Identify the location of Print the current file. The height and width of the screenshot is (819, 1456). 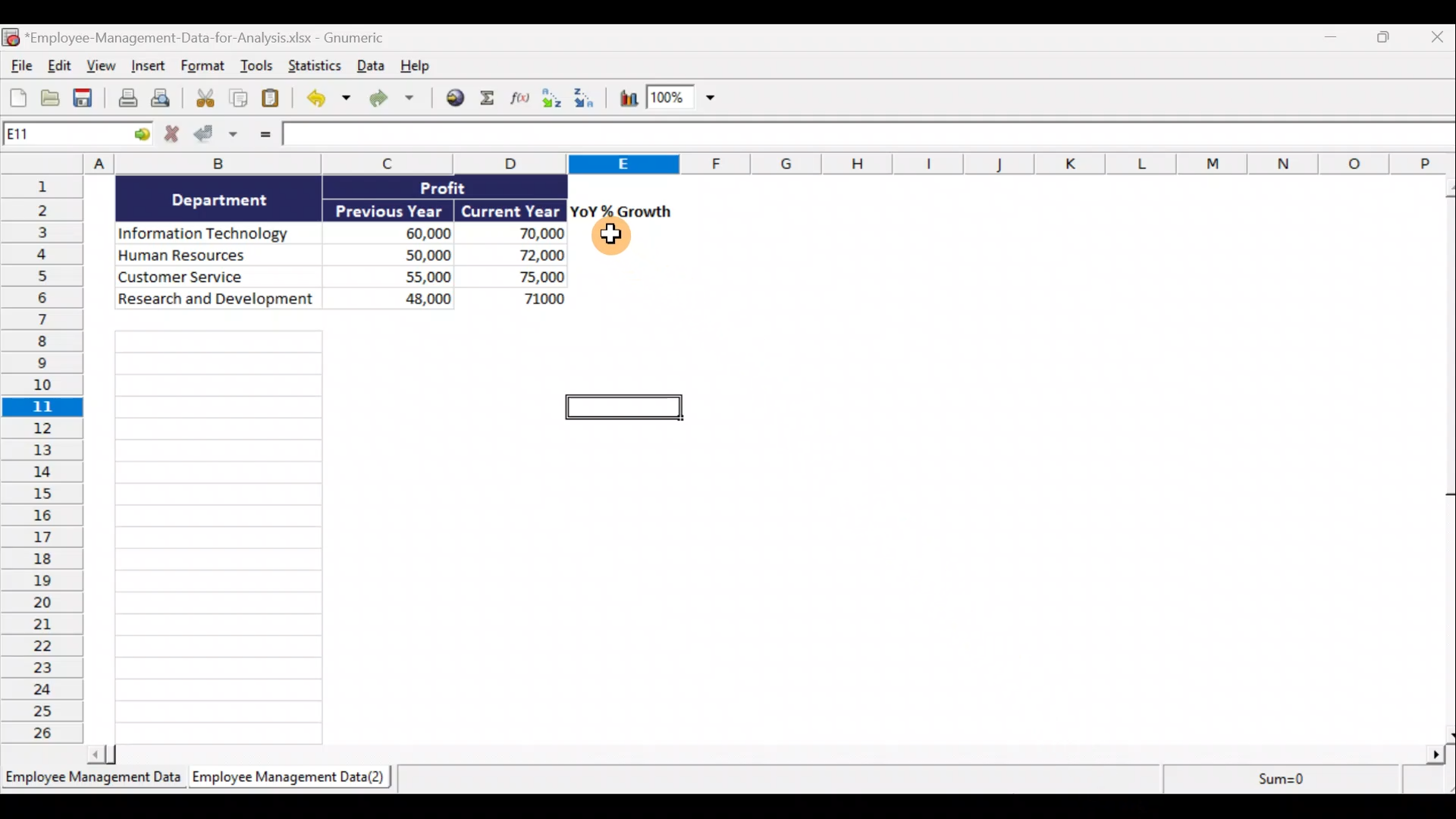
(126, 100).